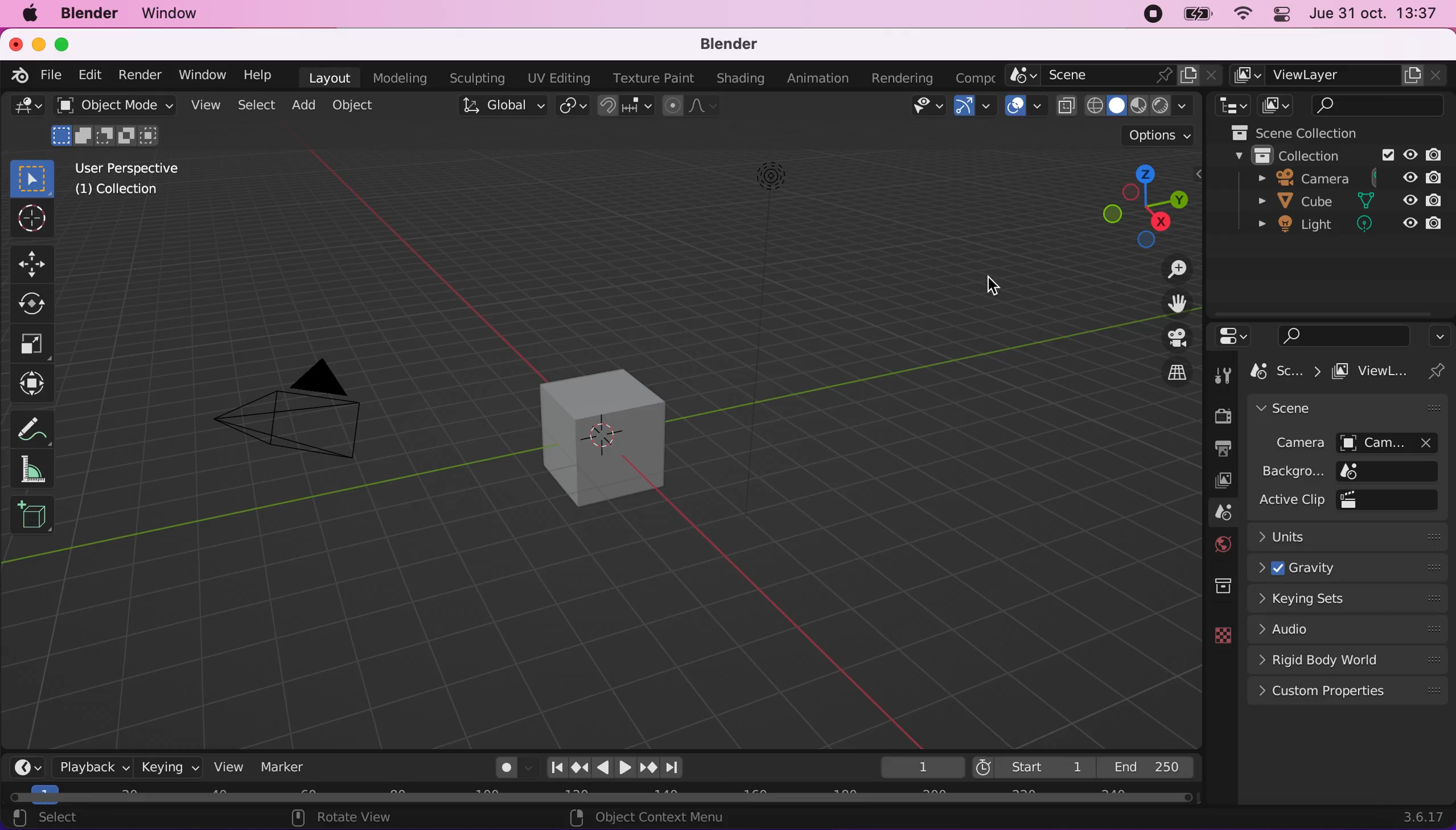 This screenshot has height=830, width=1456. Describe the element at coordinates (1233, 335) in the screenshot. I see `editor type` at that location.